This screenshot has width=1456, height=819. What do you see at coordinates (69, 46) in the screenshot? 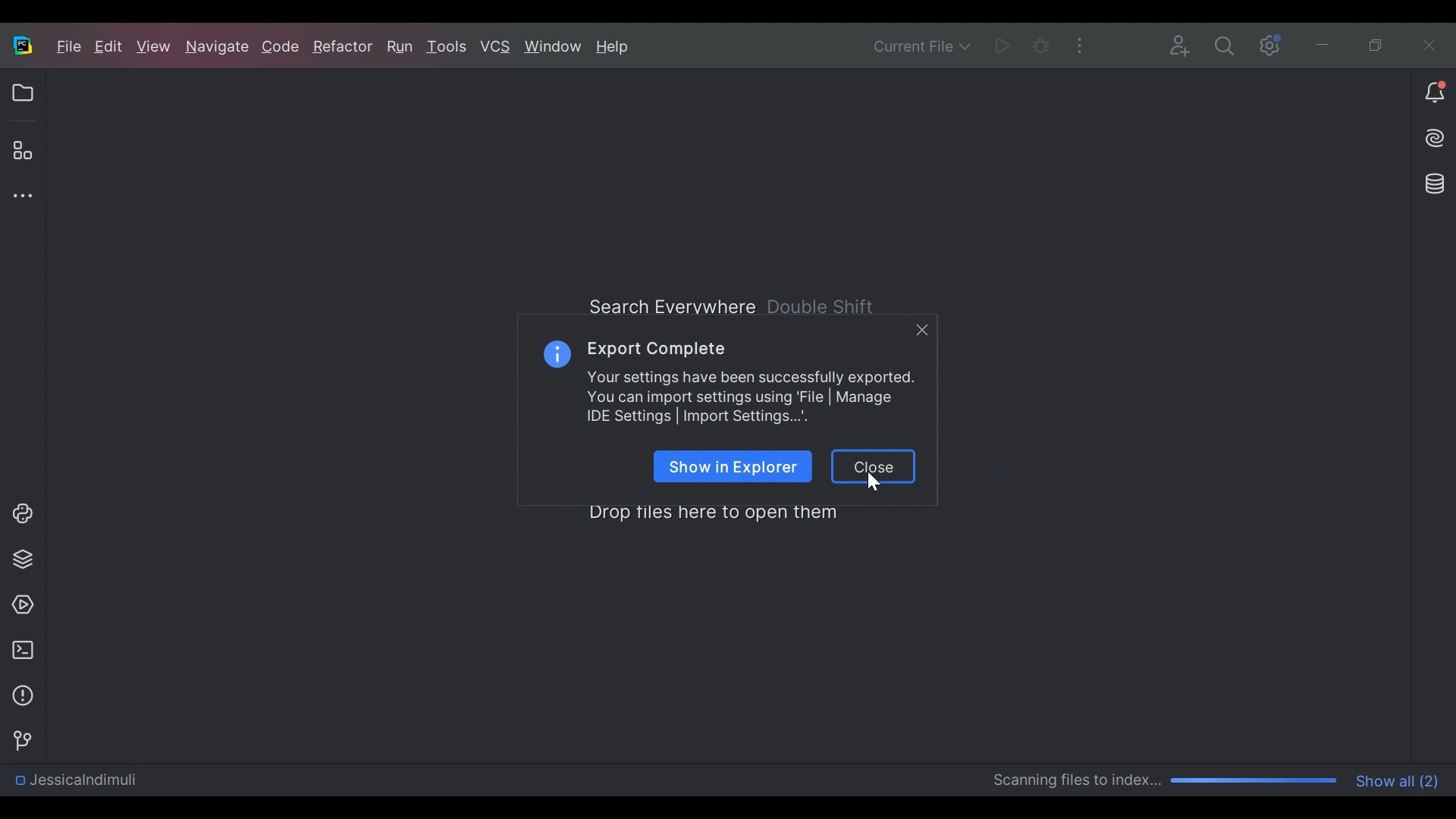
I see `File` at bounding box center [69, 46].